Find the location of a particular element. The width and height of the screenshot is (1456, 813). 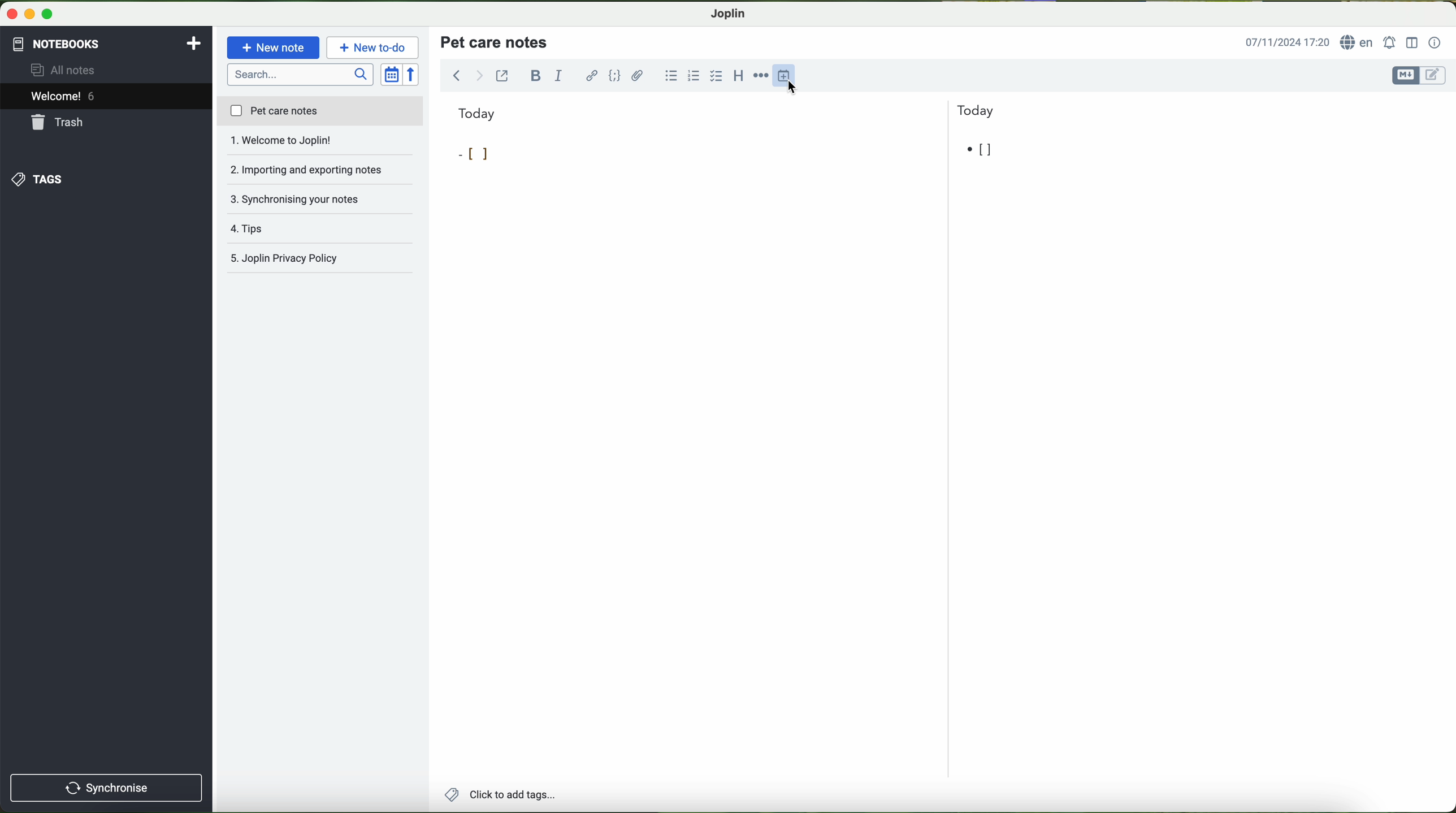

inputs is located at coordinates (507, 155).